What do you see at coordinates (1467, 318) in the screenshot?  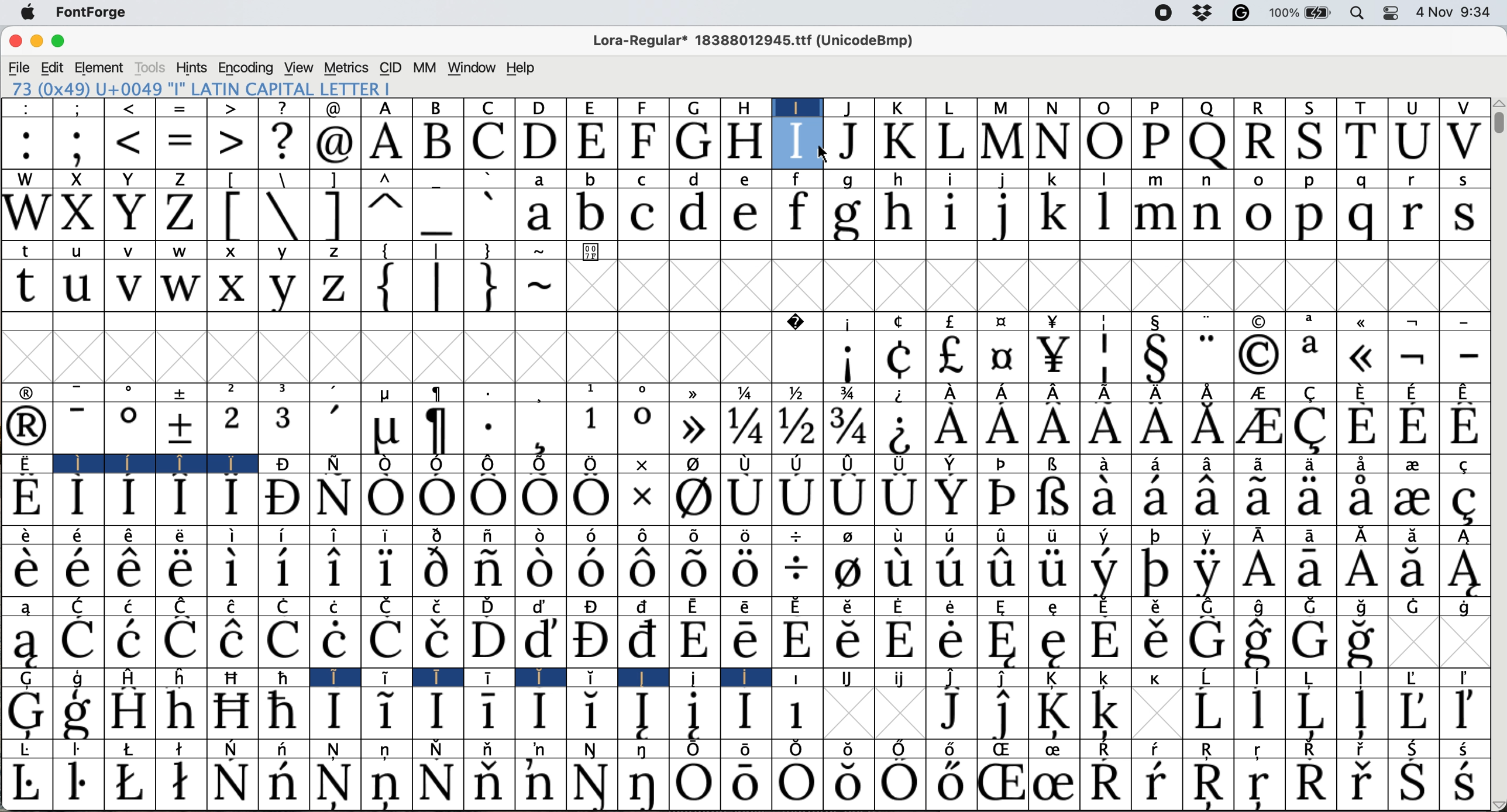 I see `-` at bounding box center [1467, 318].